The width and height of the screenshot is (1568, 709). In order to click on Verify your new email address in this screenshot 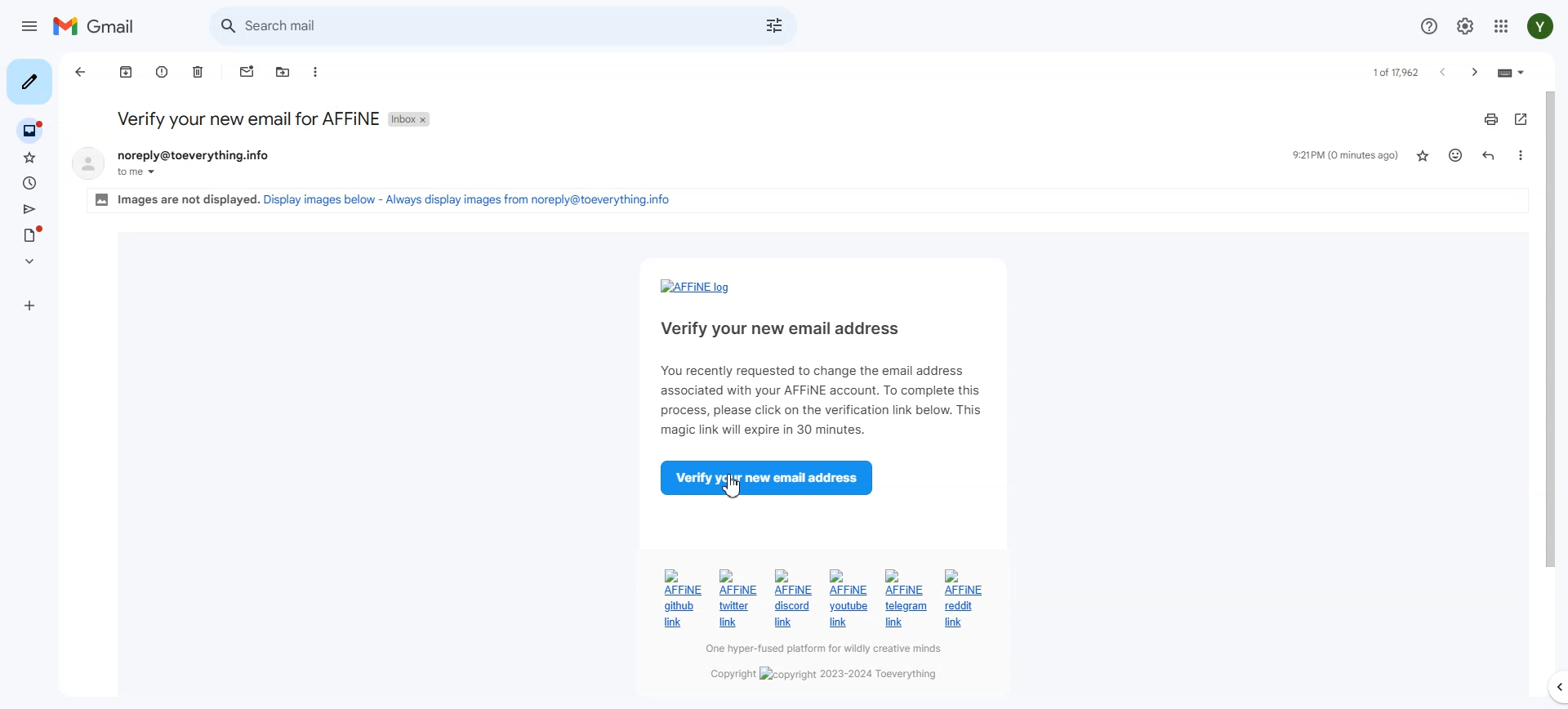, I will do `click(767, 477)`.